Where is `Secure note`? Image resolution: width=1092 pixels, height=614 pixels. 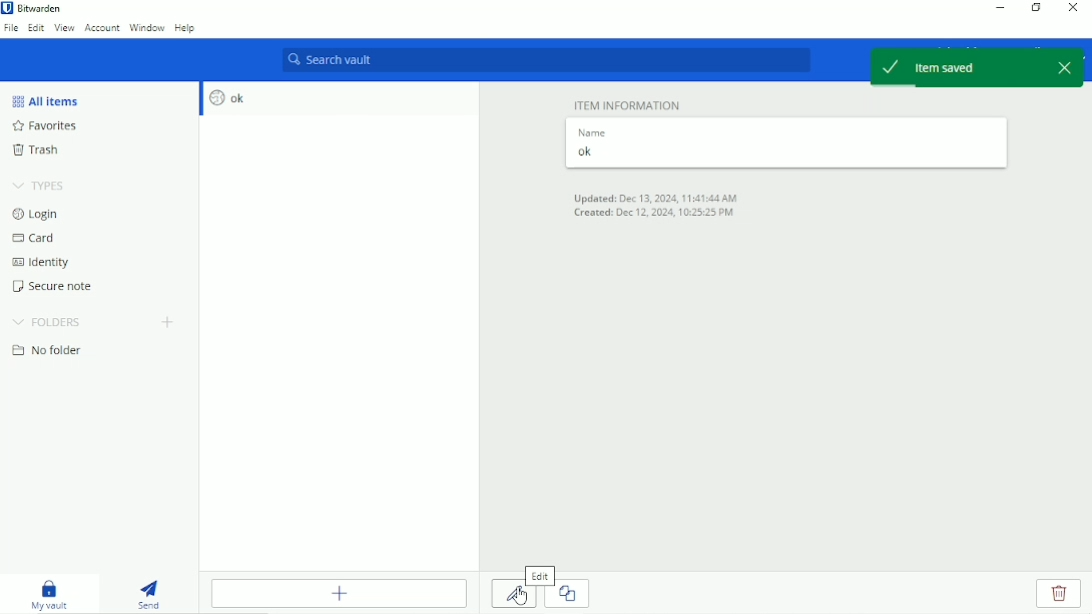 Secure note is located at coordinates (55, 286).